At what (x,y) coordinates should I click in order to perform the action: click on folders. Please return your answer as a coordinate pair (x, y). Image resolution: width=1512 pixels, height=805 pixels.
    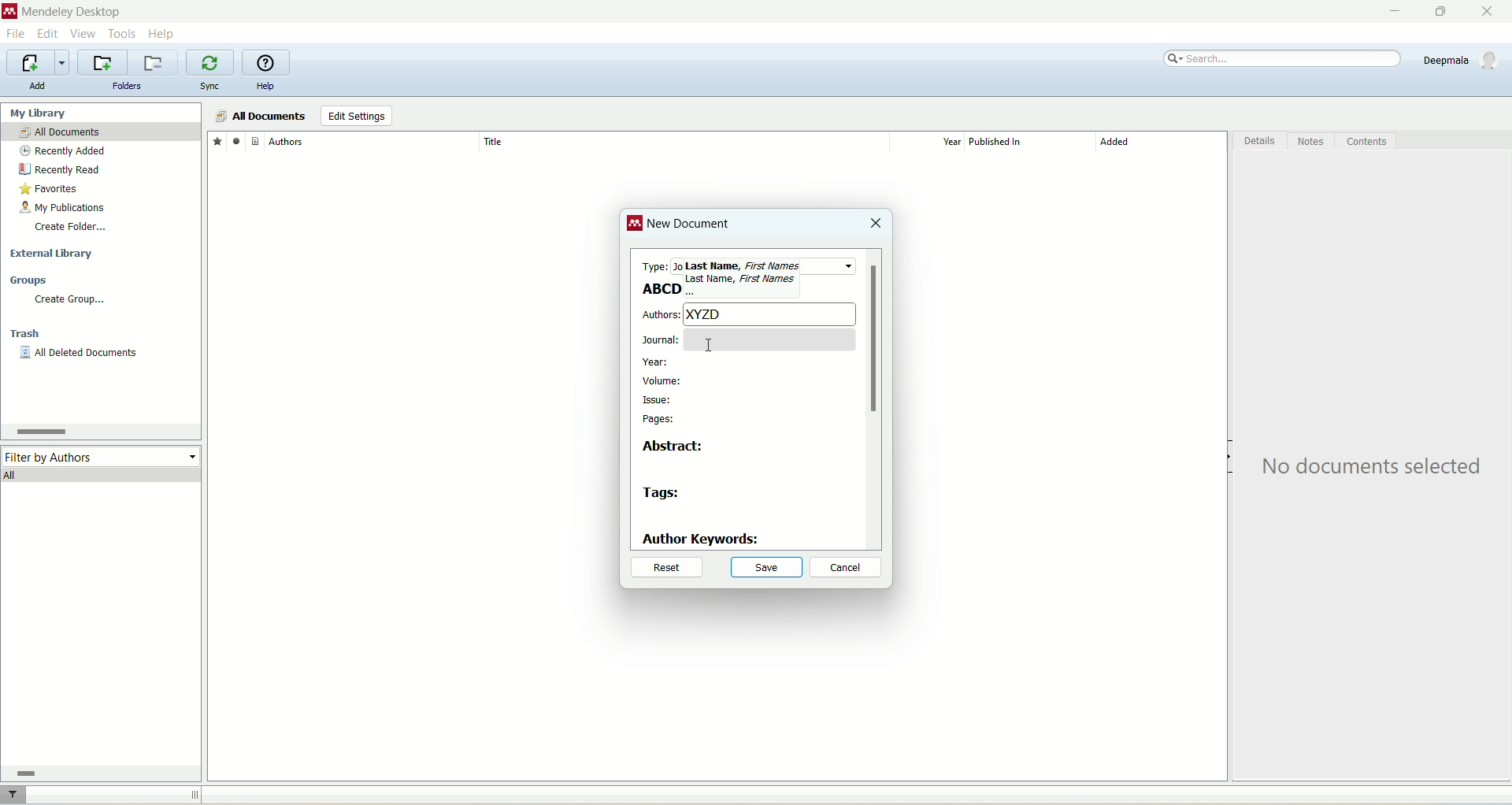
    Looking at the image, I should click on (128, 87).